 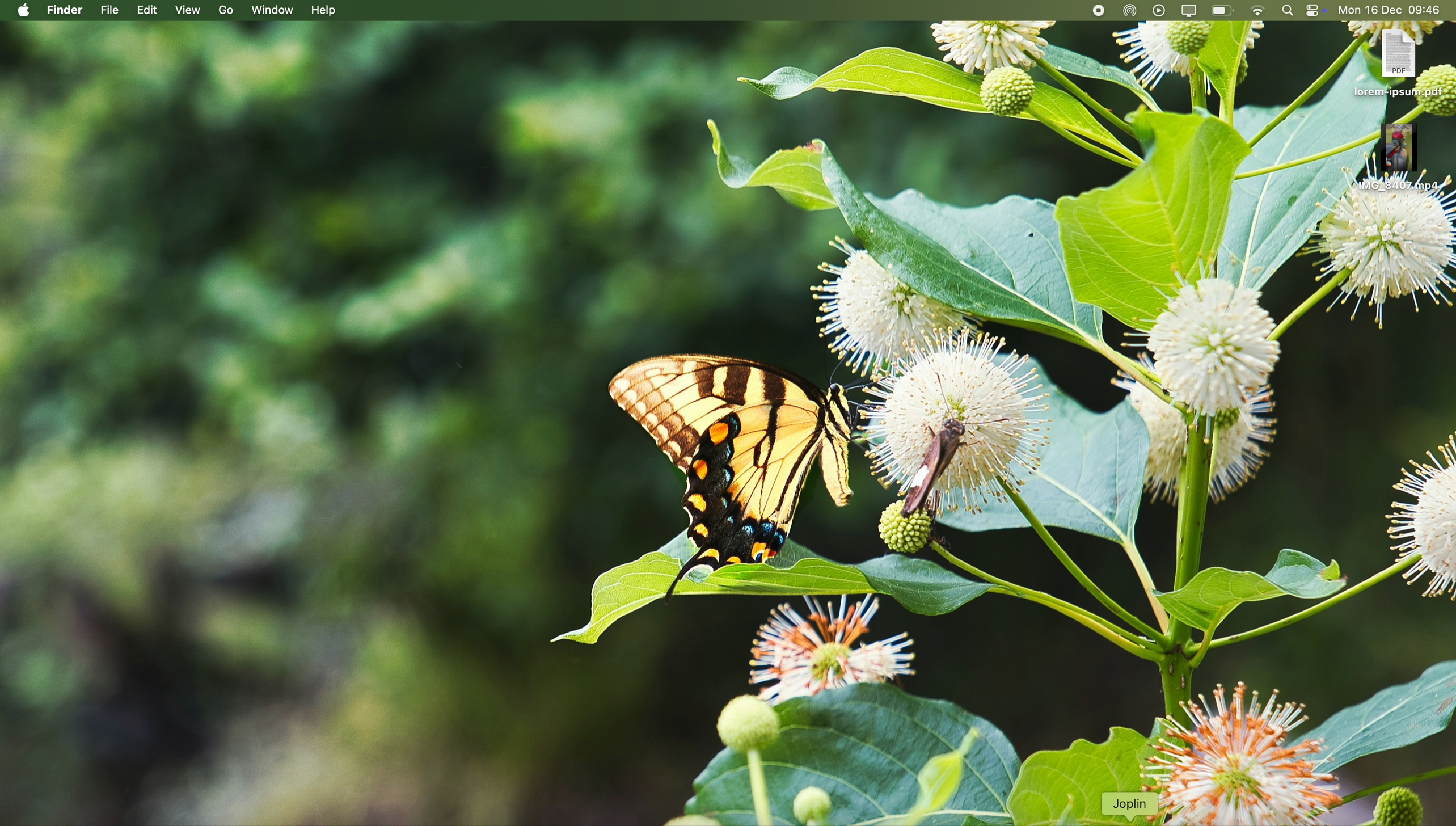 What do you see at coordinates (1319, 11) in the screenshot?
I see `controls` at bounding box center [1319, 11].